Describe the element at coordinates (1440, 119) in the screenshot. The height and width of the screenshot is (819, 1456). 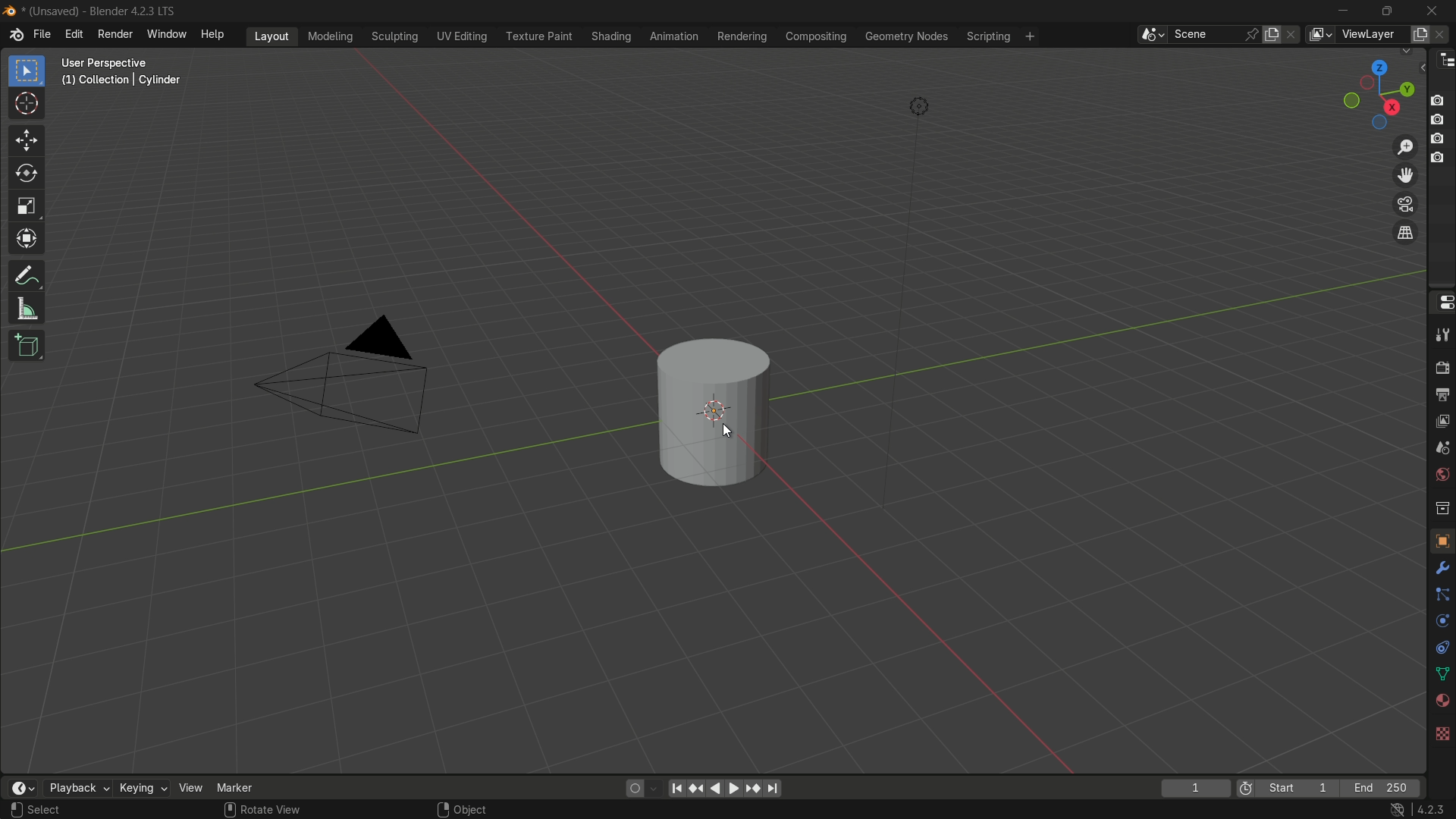
I see `layer 2` at that location.